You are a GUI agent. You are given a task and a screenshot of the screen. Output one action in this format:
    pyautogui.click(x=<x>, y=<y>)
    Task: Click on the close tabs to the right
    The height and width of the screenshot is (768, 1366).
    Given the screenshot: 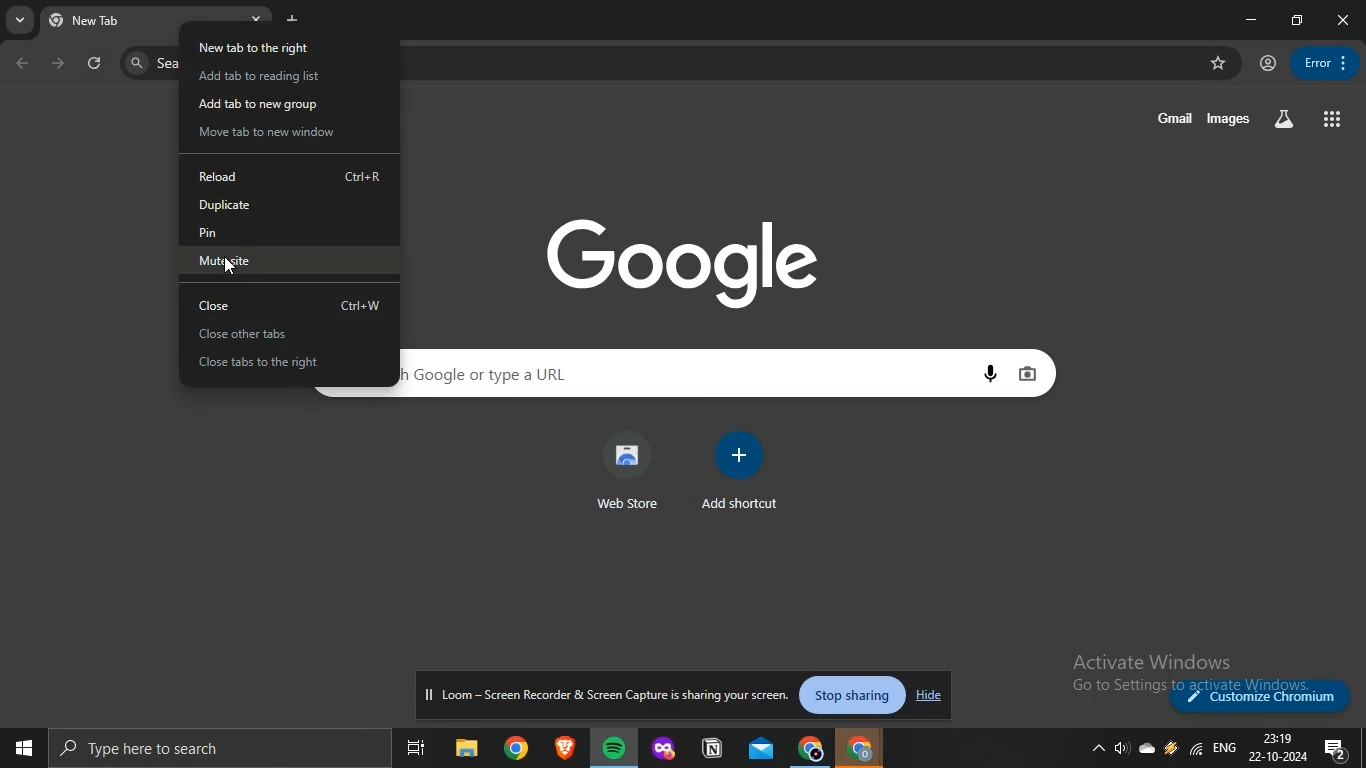 What is the action you would take?
    pyautogui.click(x=283, y=364)
    